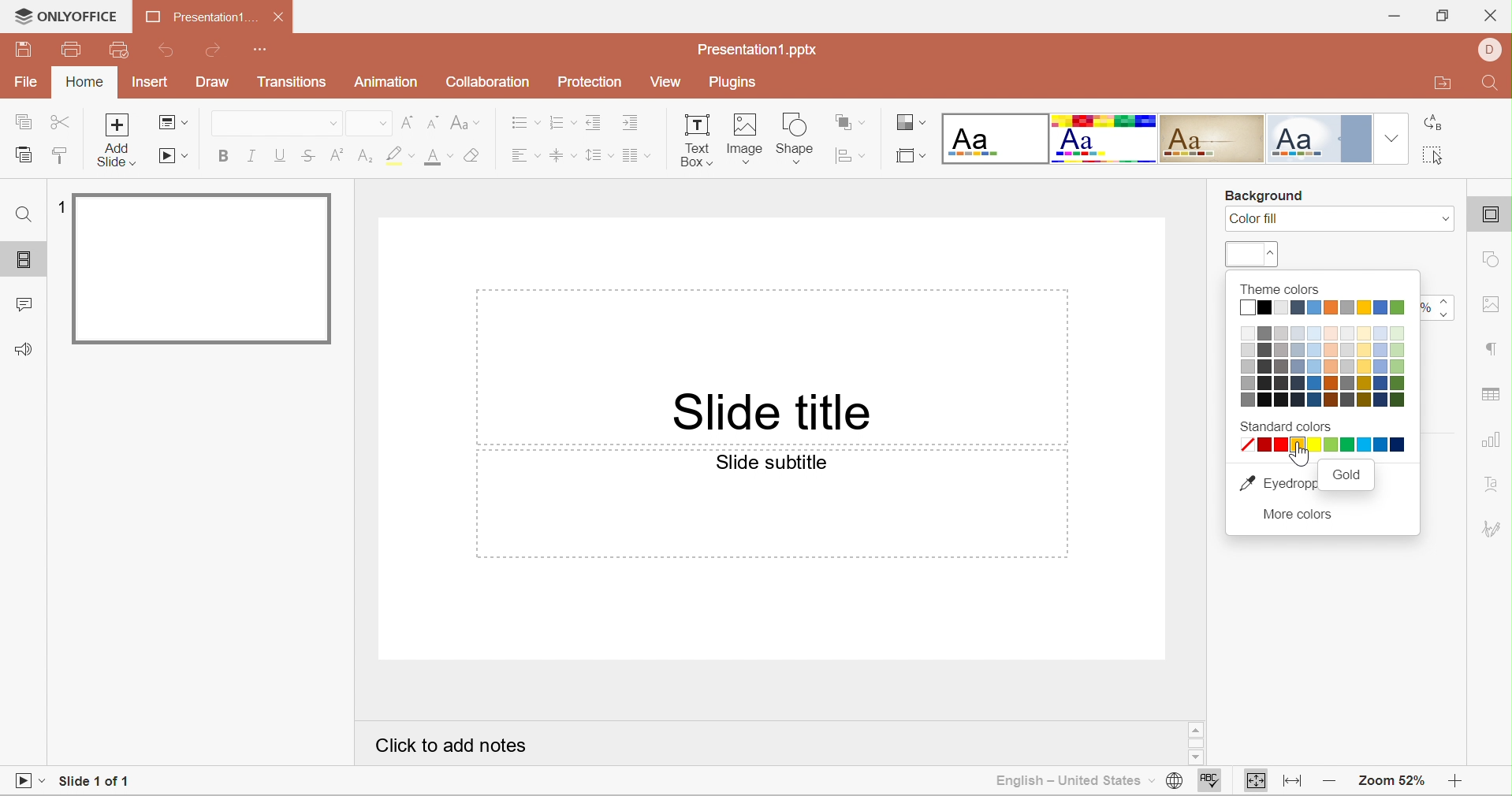 Image resolution: width=1512 pixels, height=796 pixels. I want to click on Feedback & Support, so click(25, 350).